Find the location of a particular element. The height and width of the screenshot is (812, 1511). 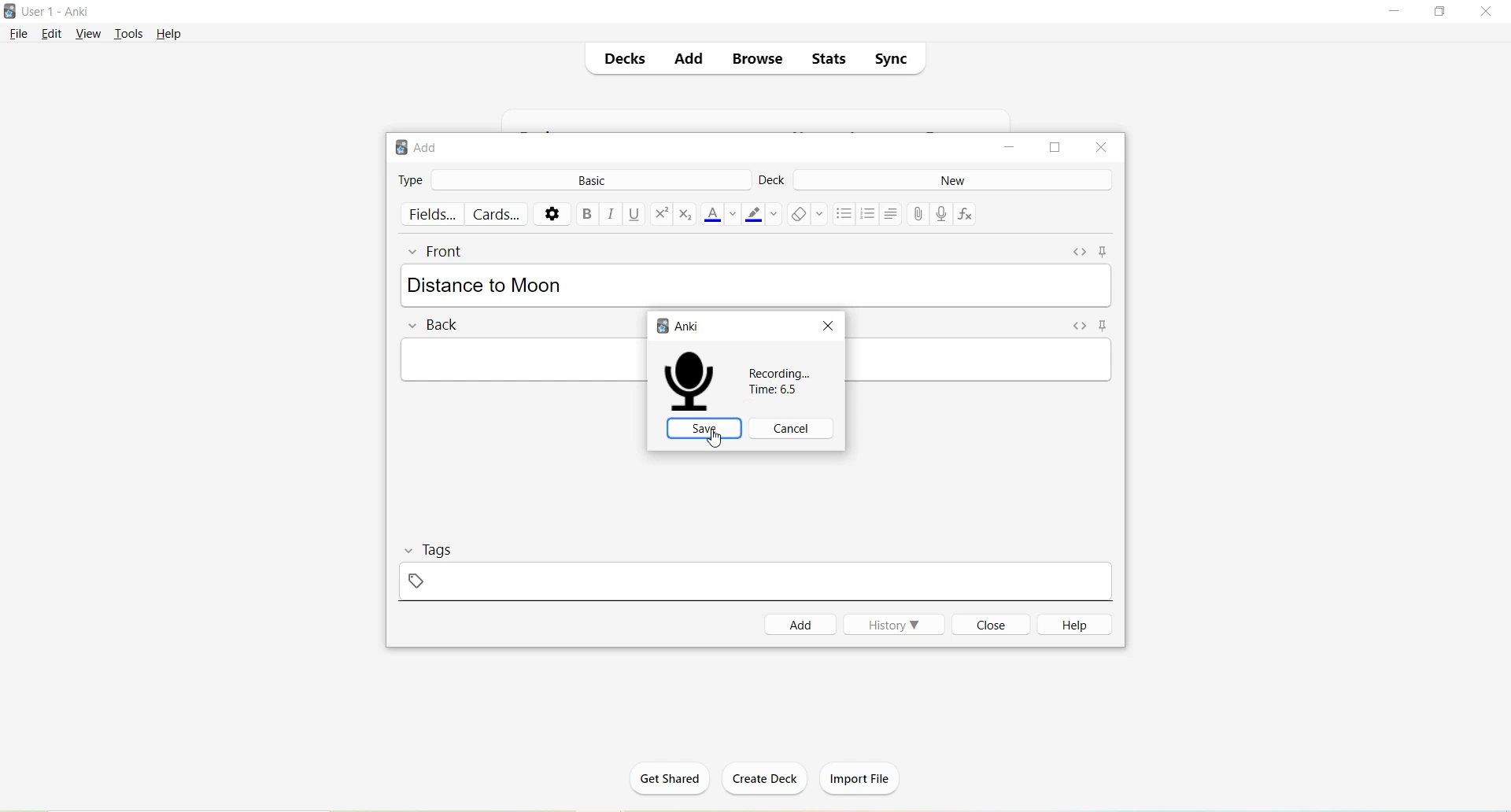

Text color is located at coordinates (721, 215).